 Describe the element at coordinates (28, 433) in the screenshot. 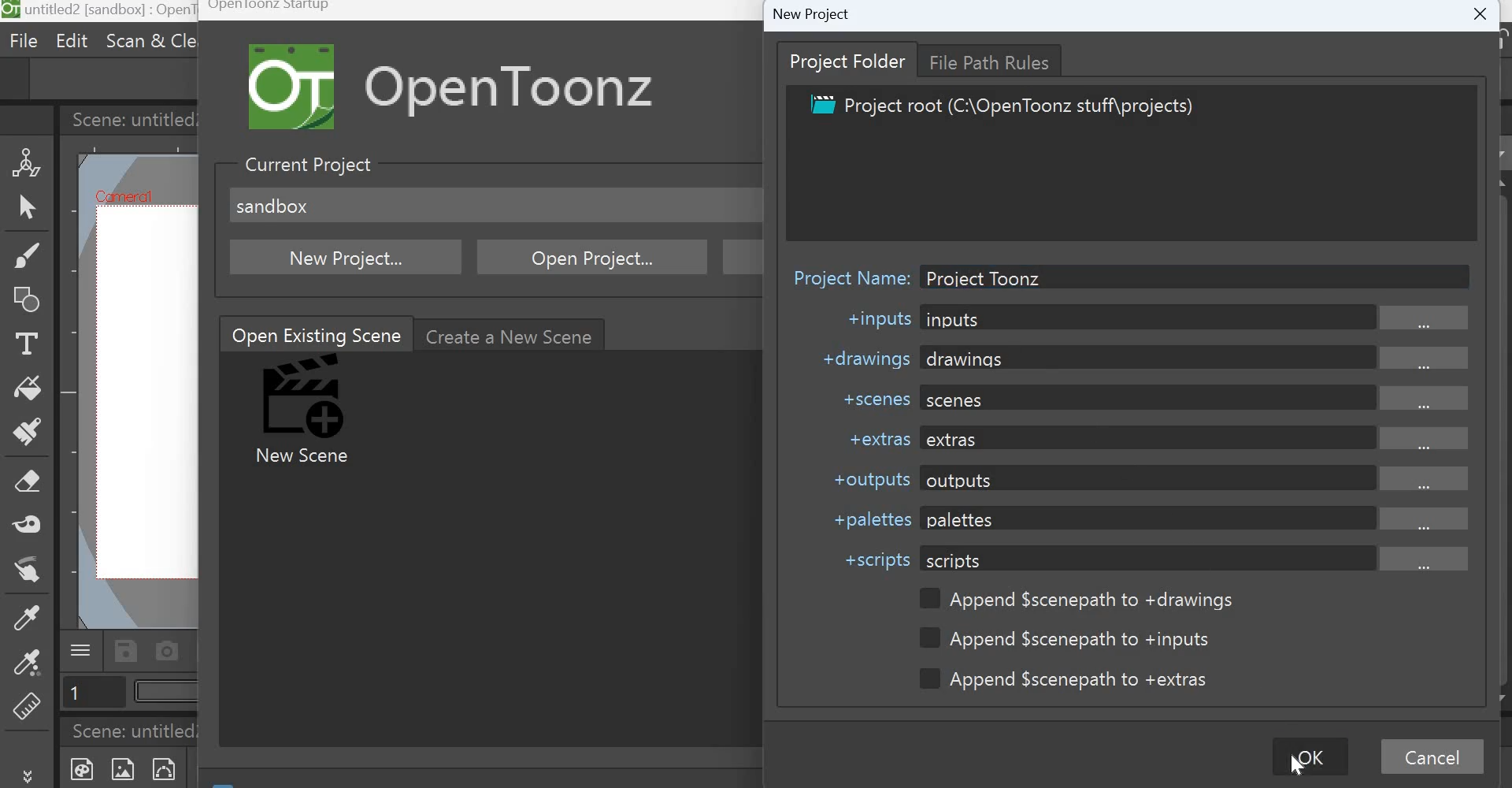

I see `Paint brush tool` at that location.